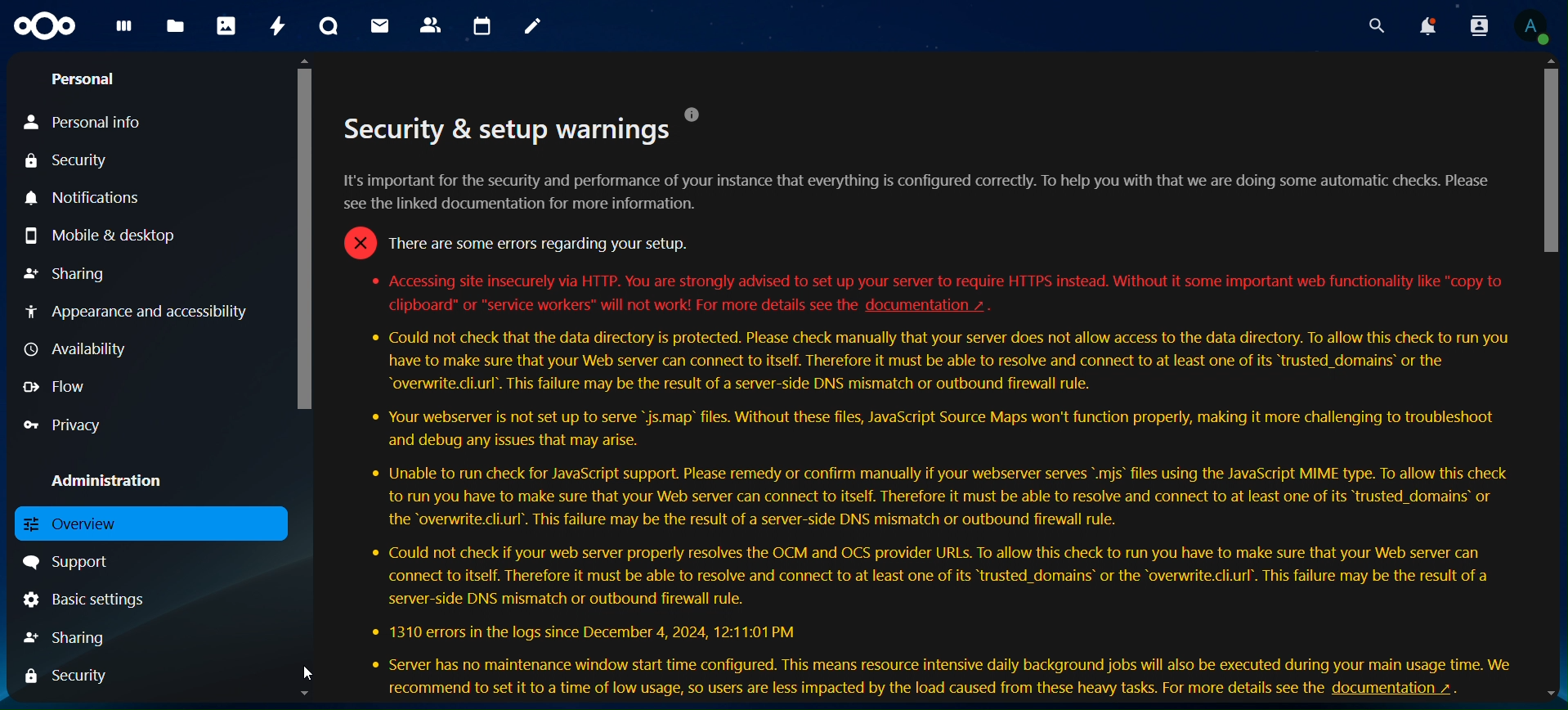 This screenshot has height=710, width=1568. What do you see at coordinates (74, 522) in the screenshot?
I see `overview` at bounding box center [74, 522].